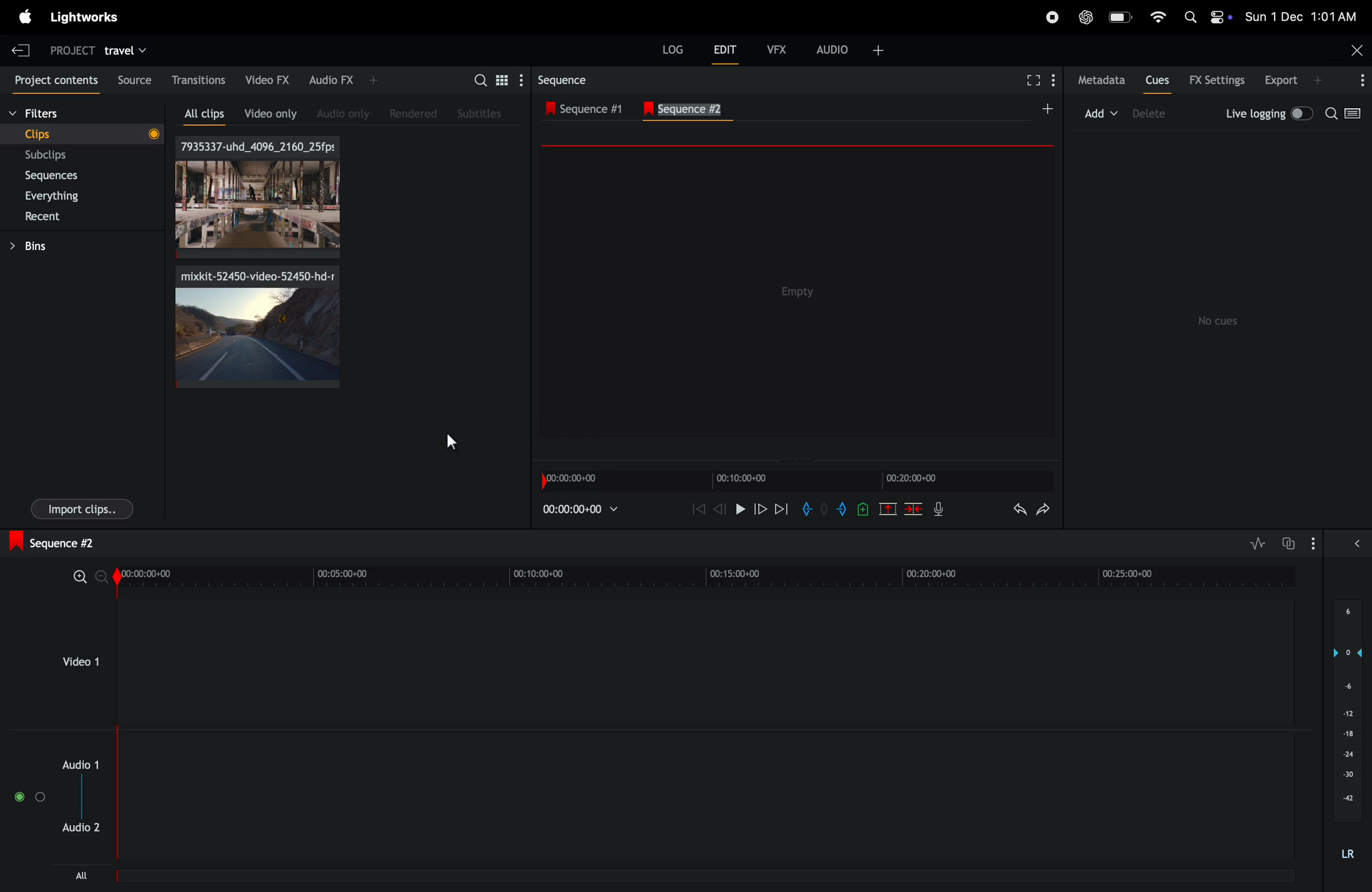 The height and width of the screenshot is (892, 1372). Describe the element at coordinates (800, 481) in the screenshot. I see `time frame` at that location.